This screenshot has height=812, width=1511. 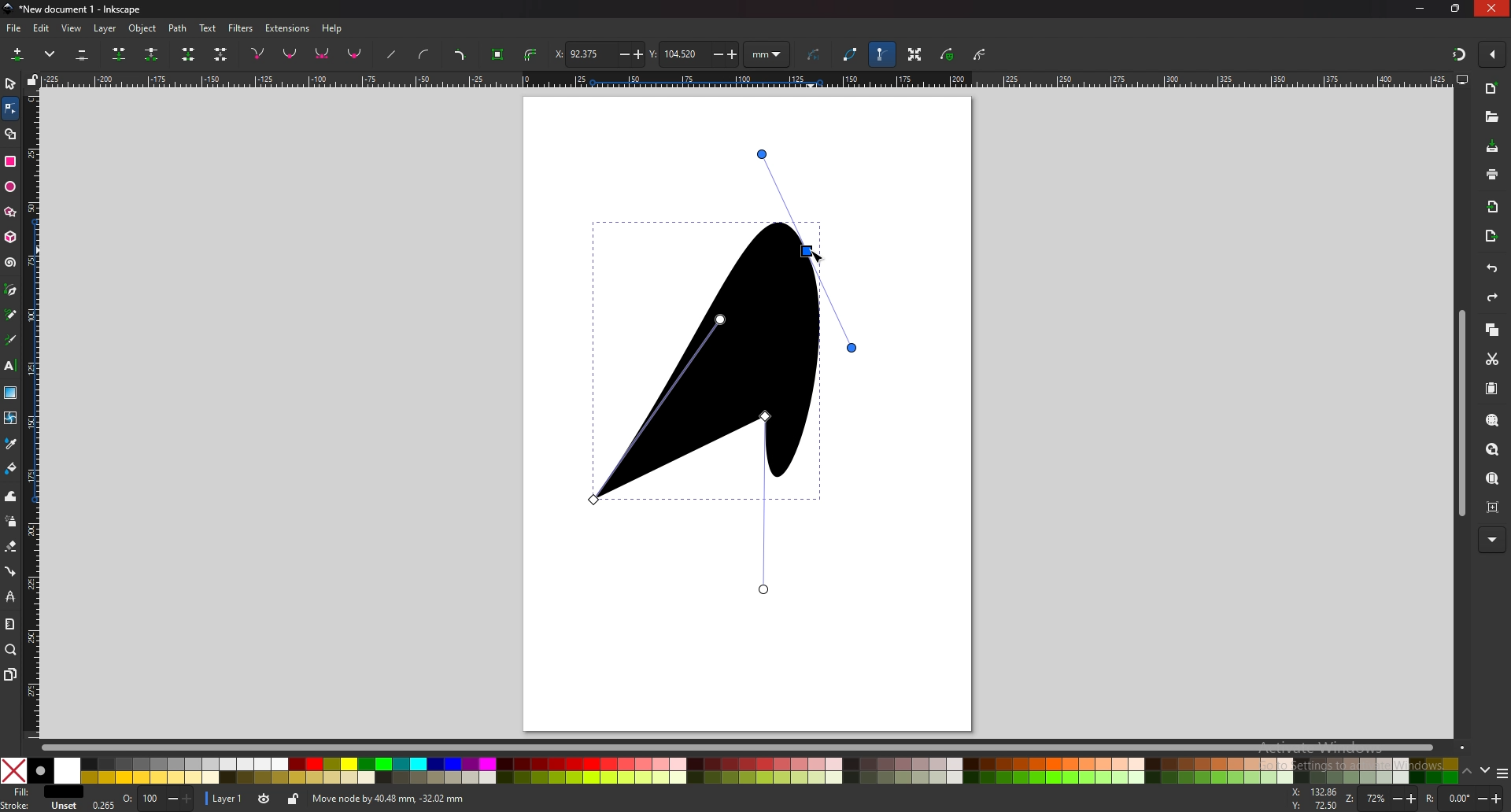 I want to click on shape builder, so click(x=11, y=134).